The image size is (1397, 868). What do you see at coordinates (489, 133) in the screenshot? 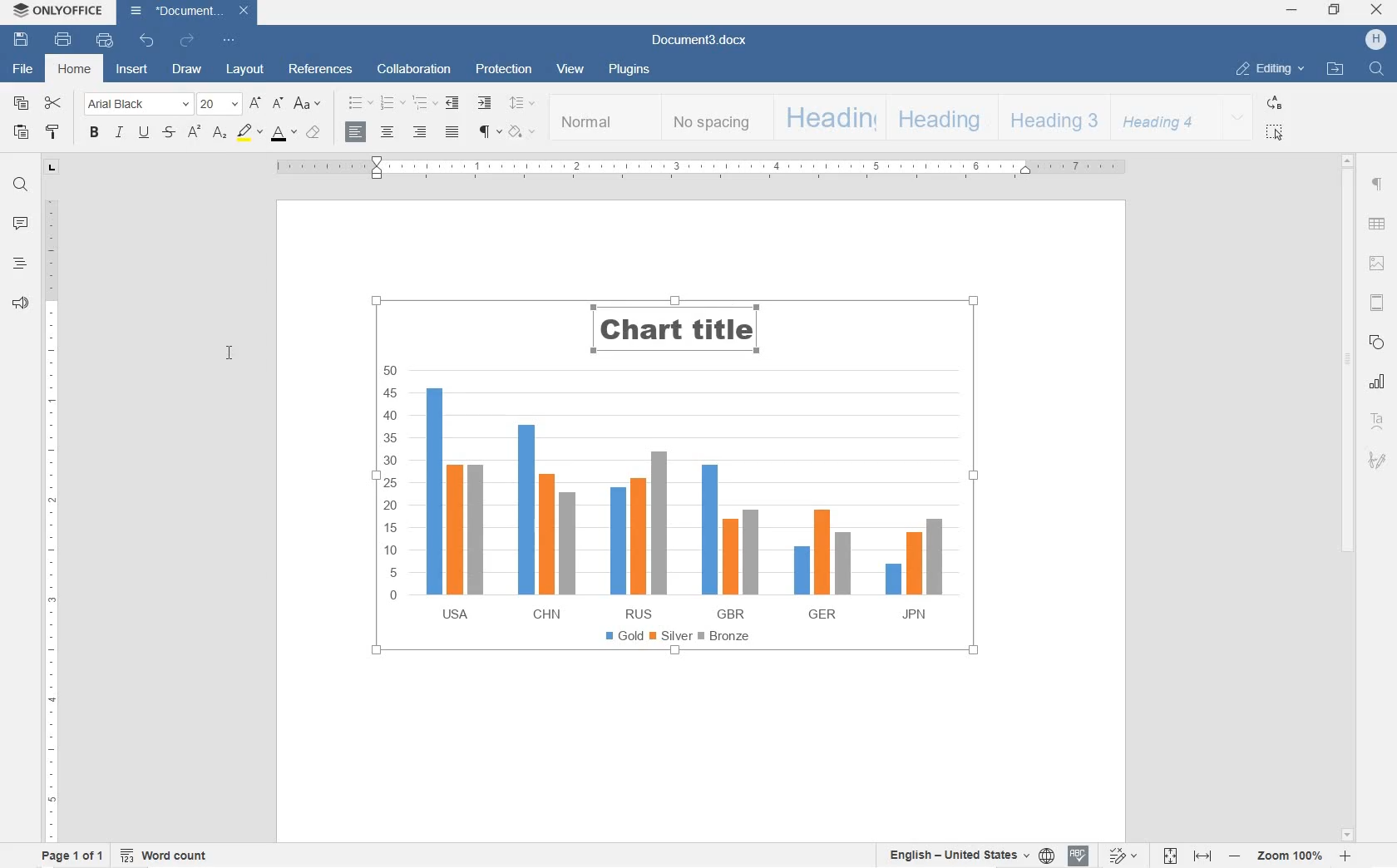
I see `NON PRINTING CHARACTERS` at bounding box center [489, 133].